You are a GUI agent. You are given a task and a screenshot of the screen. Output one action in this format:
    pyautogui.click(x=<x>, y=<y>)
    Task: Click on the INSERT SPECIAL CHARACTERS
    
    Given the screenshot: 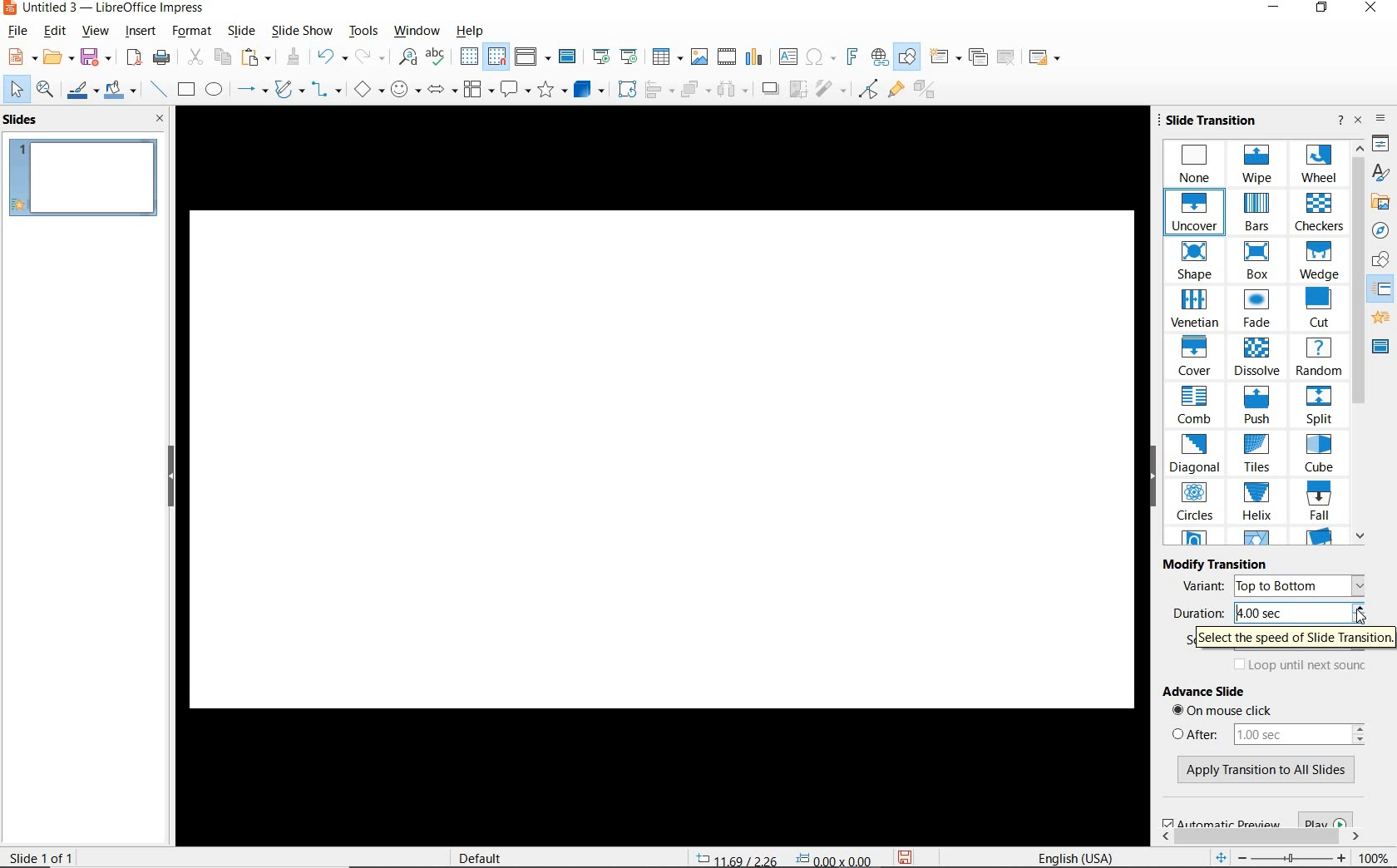 What is the action you would take?
    pyautogui.click(x=819, y=57)
    